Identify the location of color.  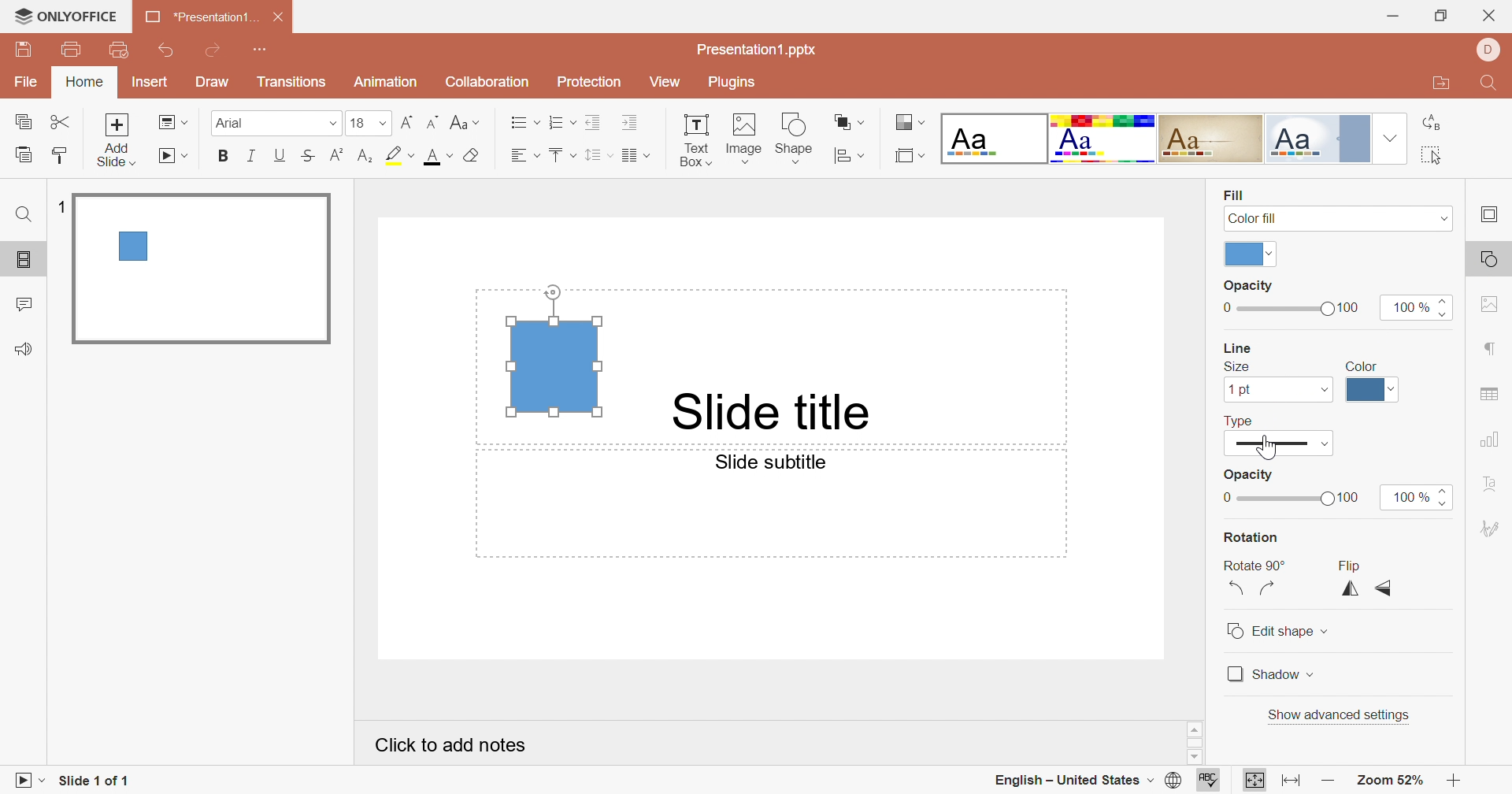
(1242, 254).